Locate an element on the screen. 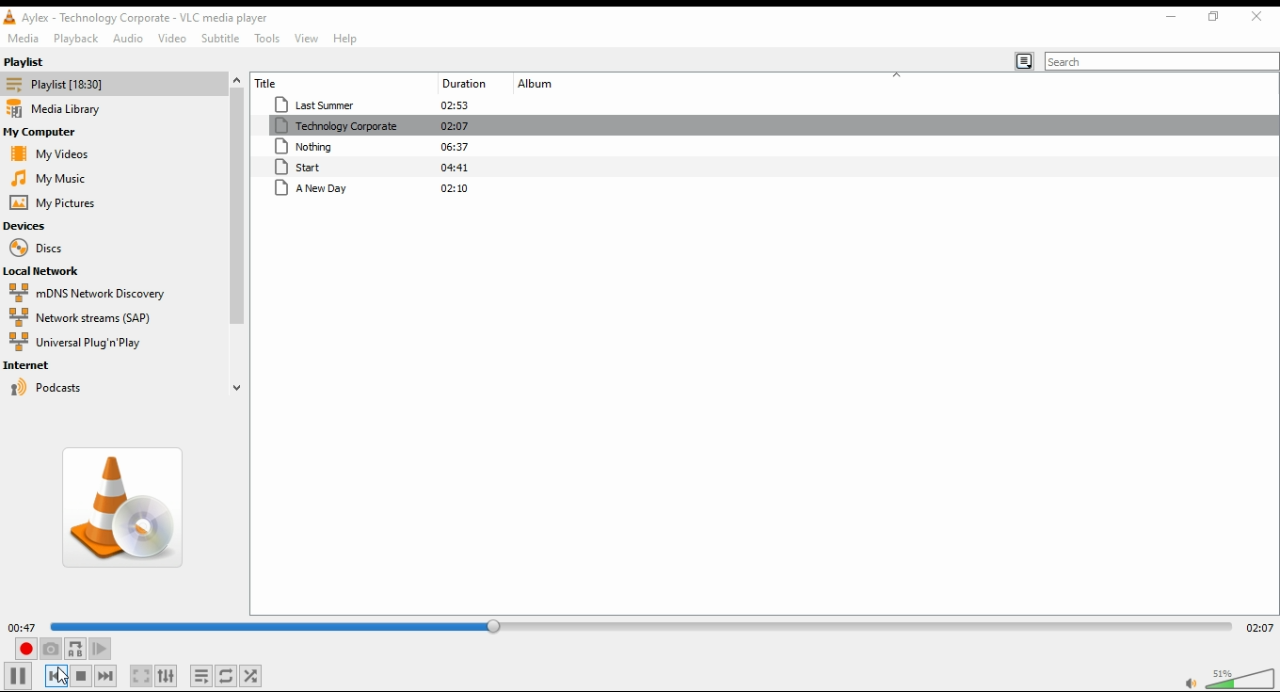 This screenshot has width=1280, height=692. discs is located at coordinates (50, 247).